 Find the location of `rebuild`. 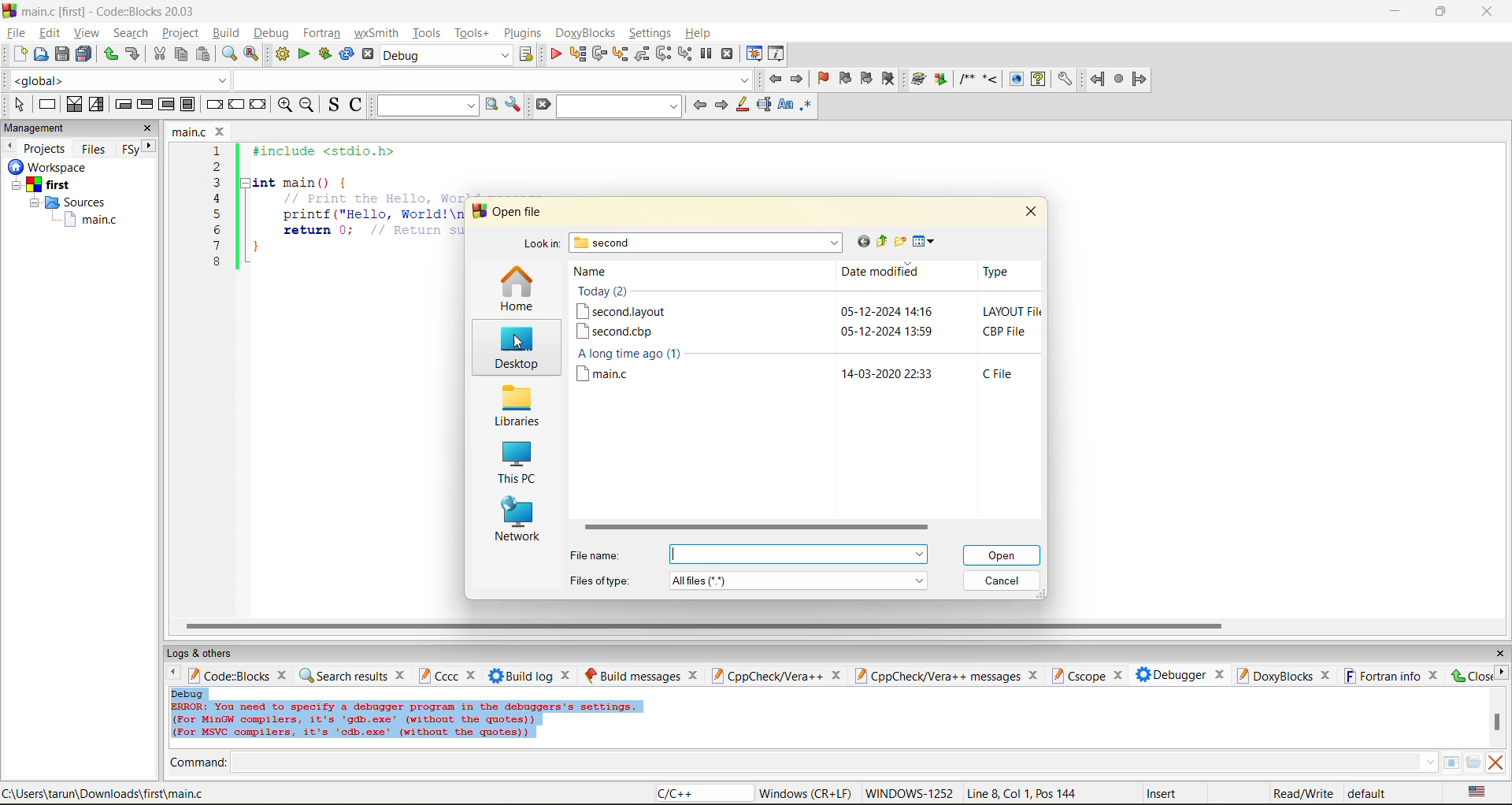

rebuild is located at coordinates (346, 54).